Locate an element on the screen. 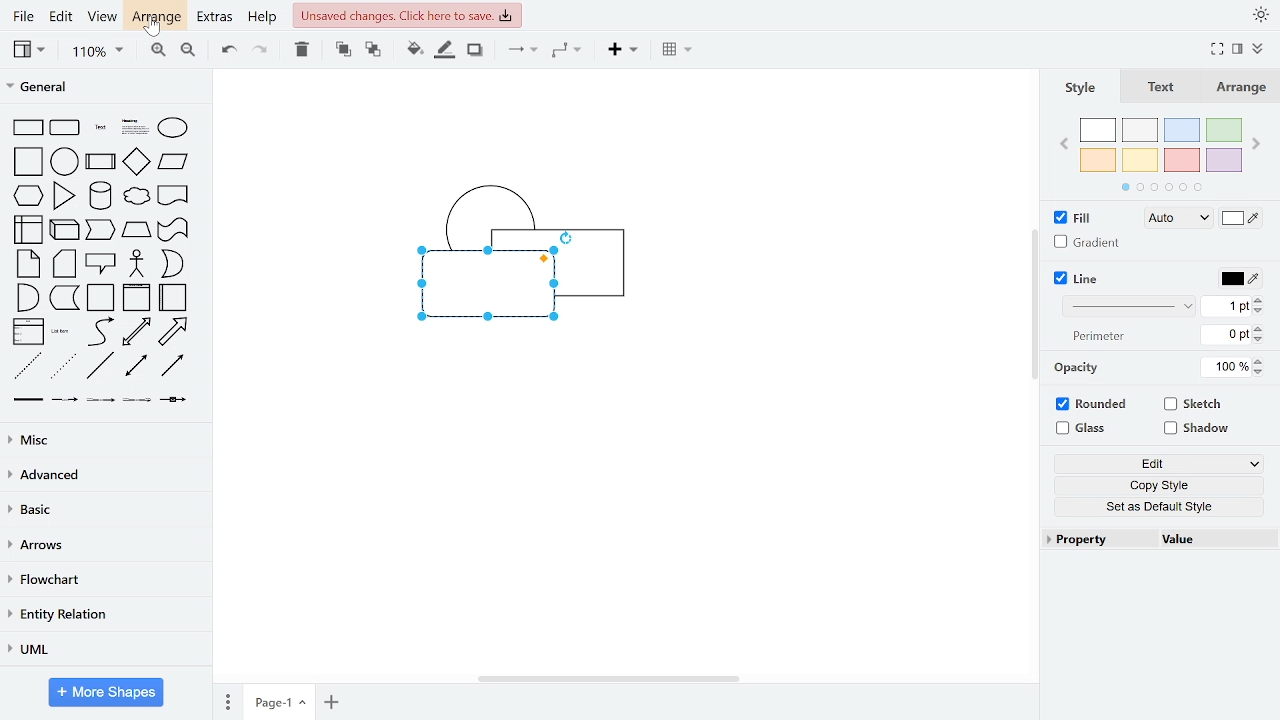 Image resolution: width=1280 pixels, height=720 pixels. perimeter is located at coordinates (1095, 337).